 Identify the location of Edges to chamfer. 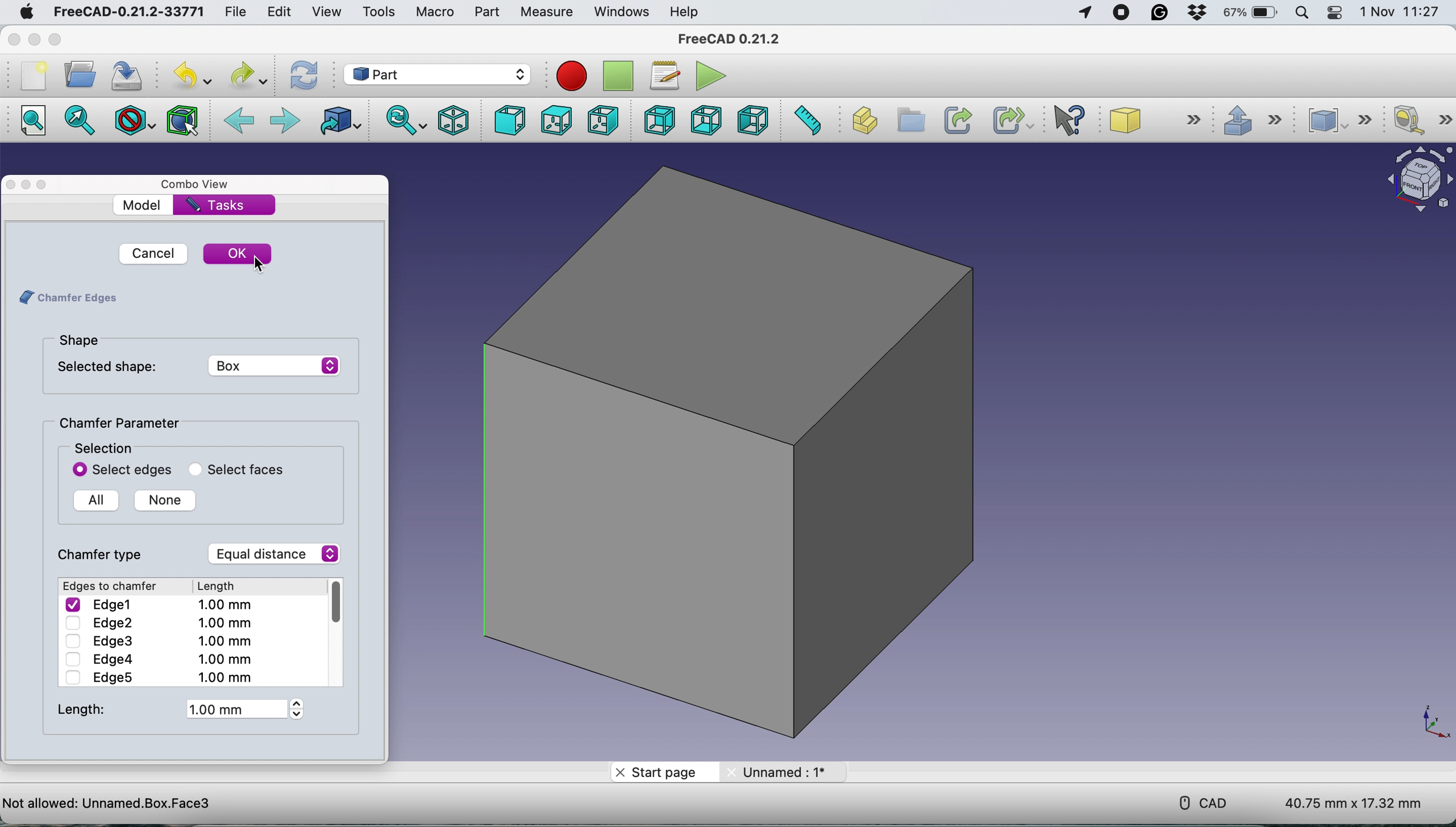
(117, 586).